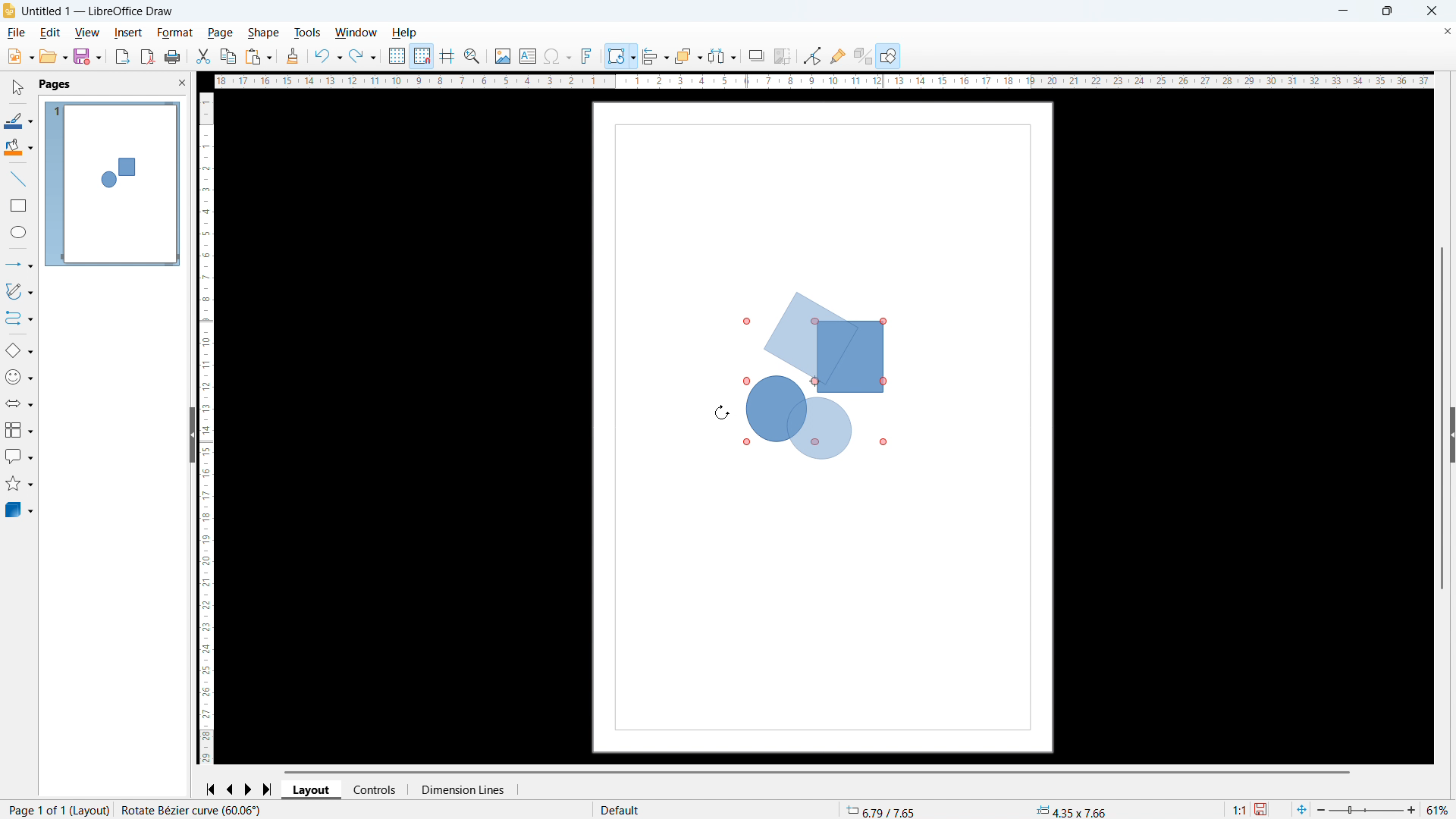 This screenshot has width=1456, height=819. What do you see at coordinates (889, 55) in the screenshot?
I see `Show draw functions ` at bounding box center [889, 55].